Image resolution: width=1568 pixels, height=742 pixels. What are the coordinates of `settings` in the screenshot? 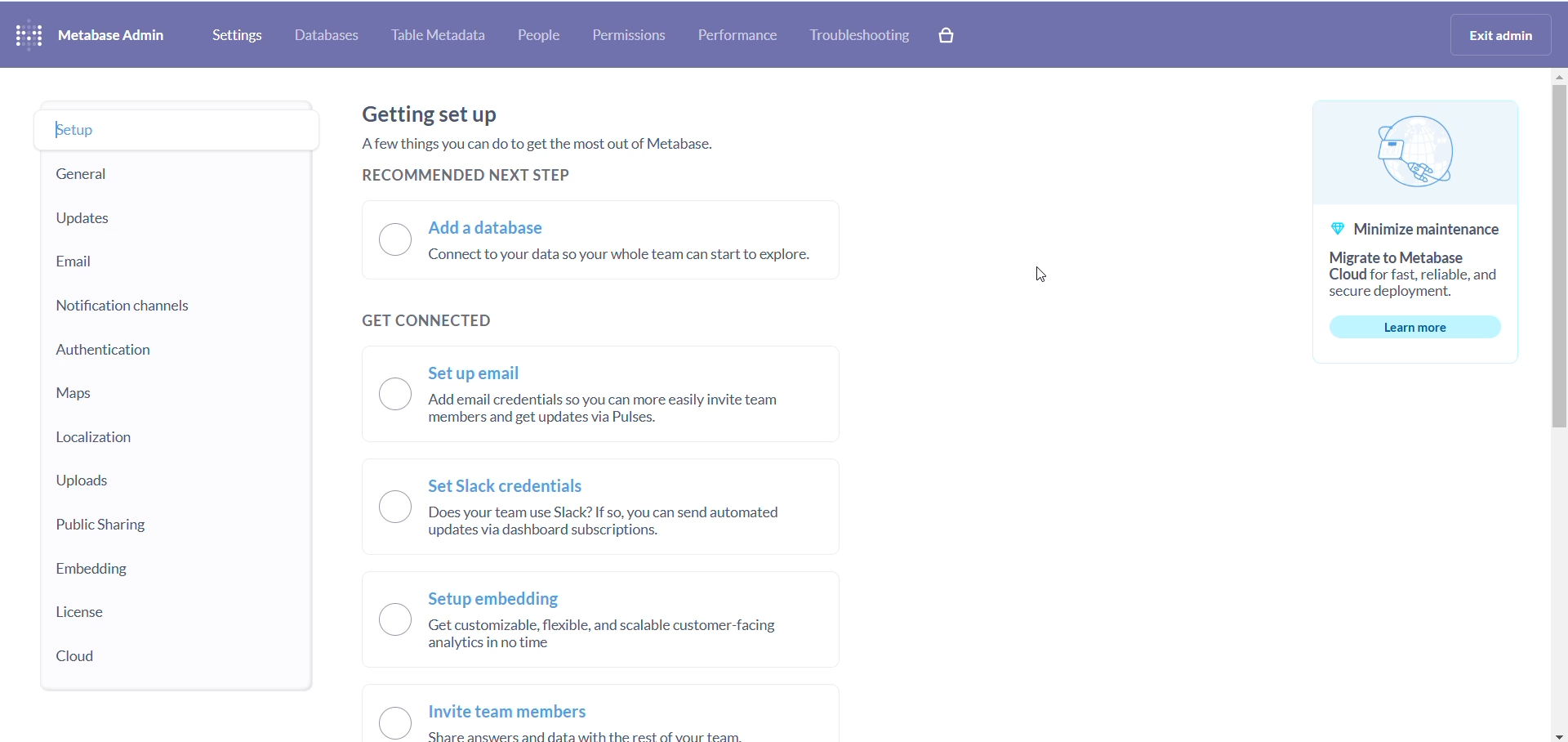 It's located at (229, 34).